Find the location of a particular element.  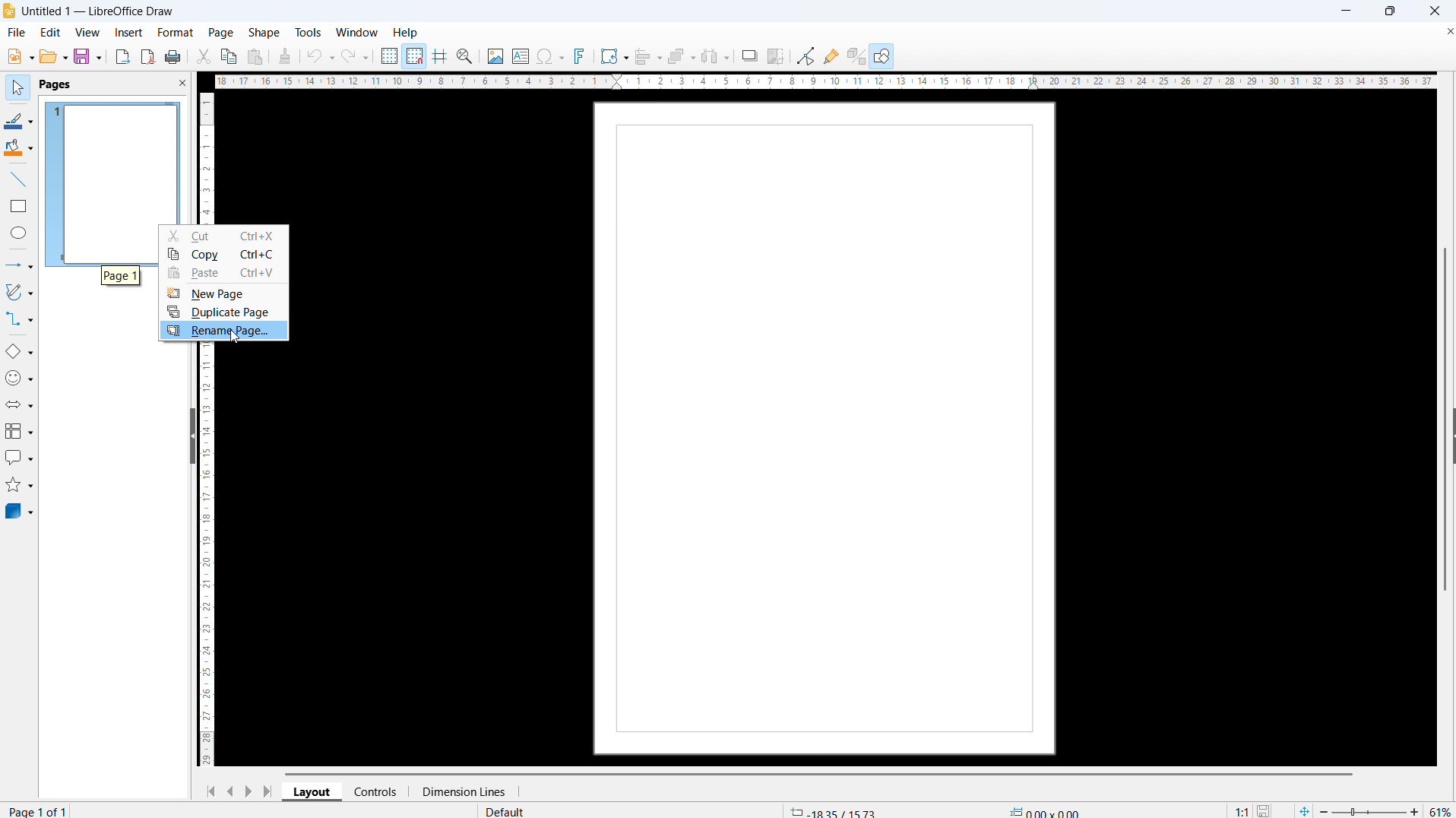

hide pane is located at coordinates (193, 437).